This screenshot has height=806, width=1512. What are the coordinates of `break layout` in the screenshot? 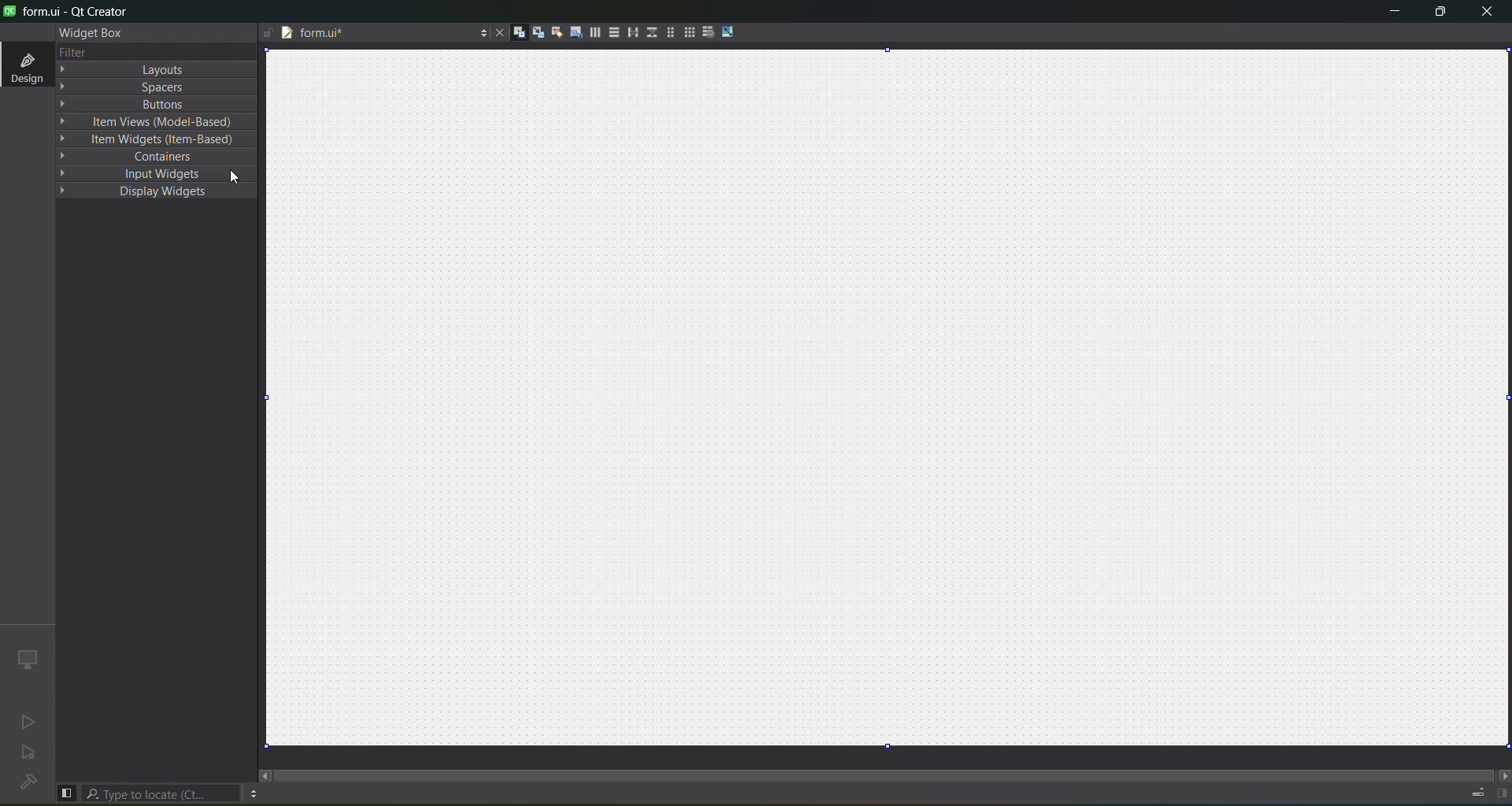 It's located at (710, 32).